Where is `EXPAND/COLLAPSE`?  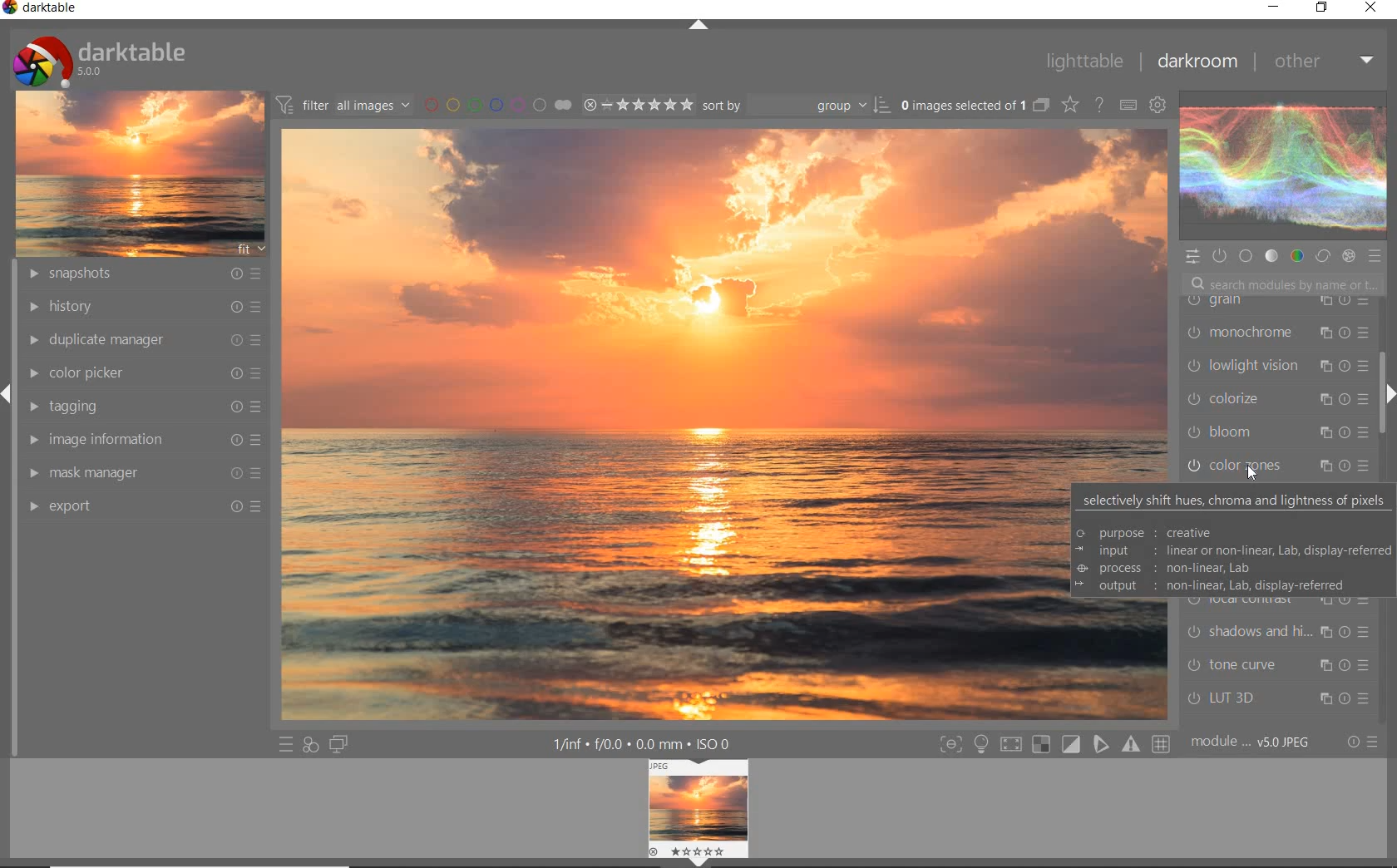
EXPAND/COLLAPSE is located at coordinates (1387, 396).